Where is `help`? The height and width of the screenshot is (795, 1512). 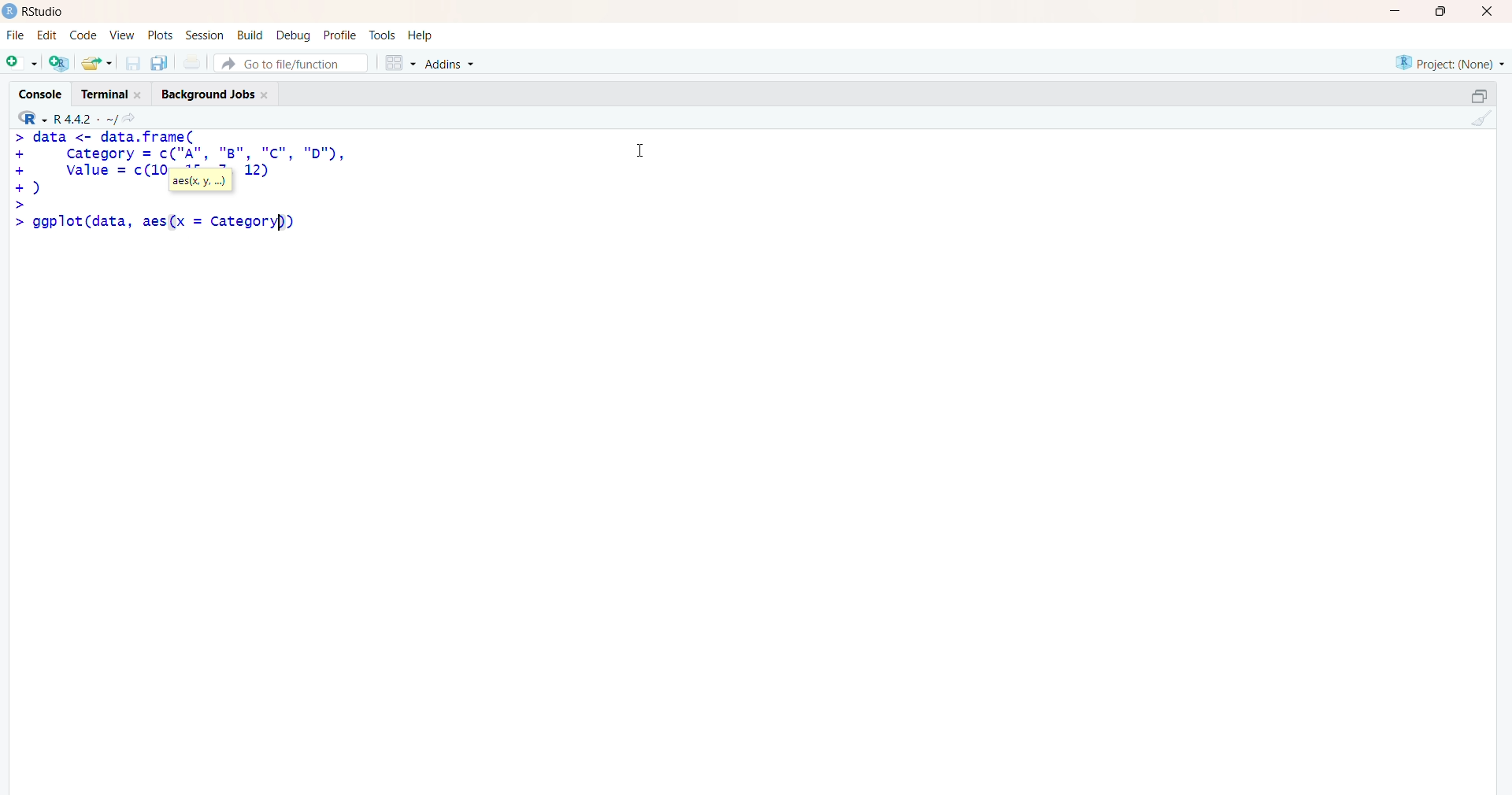 help is located at coordinates (423, 35).